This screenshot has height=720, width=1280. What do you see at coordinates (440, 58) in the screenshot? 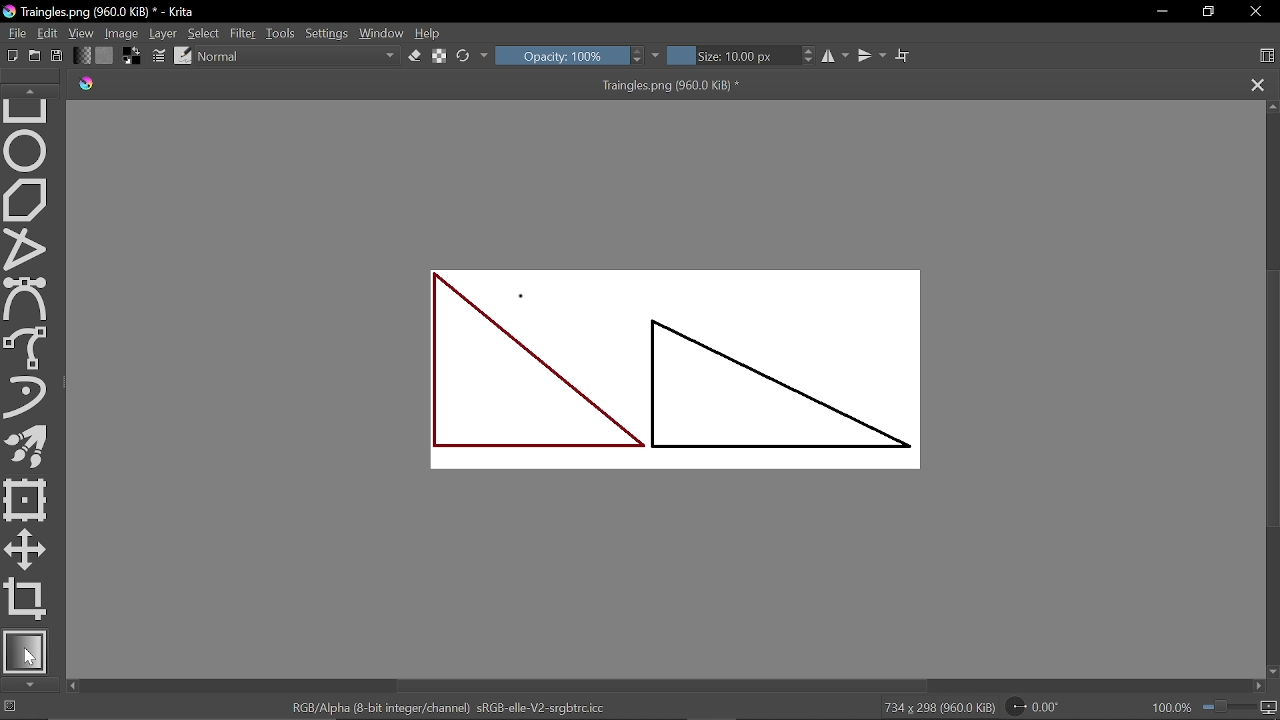
I see `preserve alpha` at bounding box center [440, 58].